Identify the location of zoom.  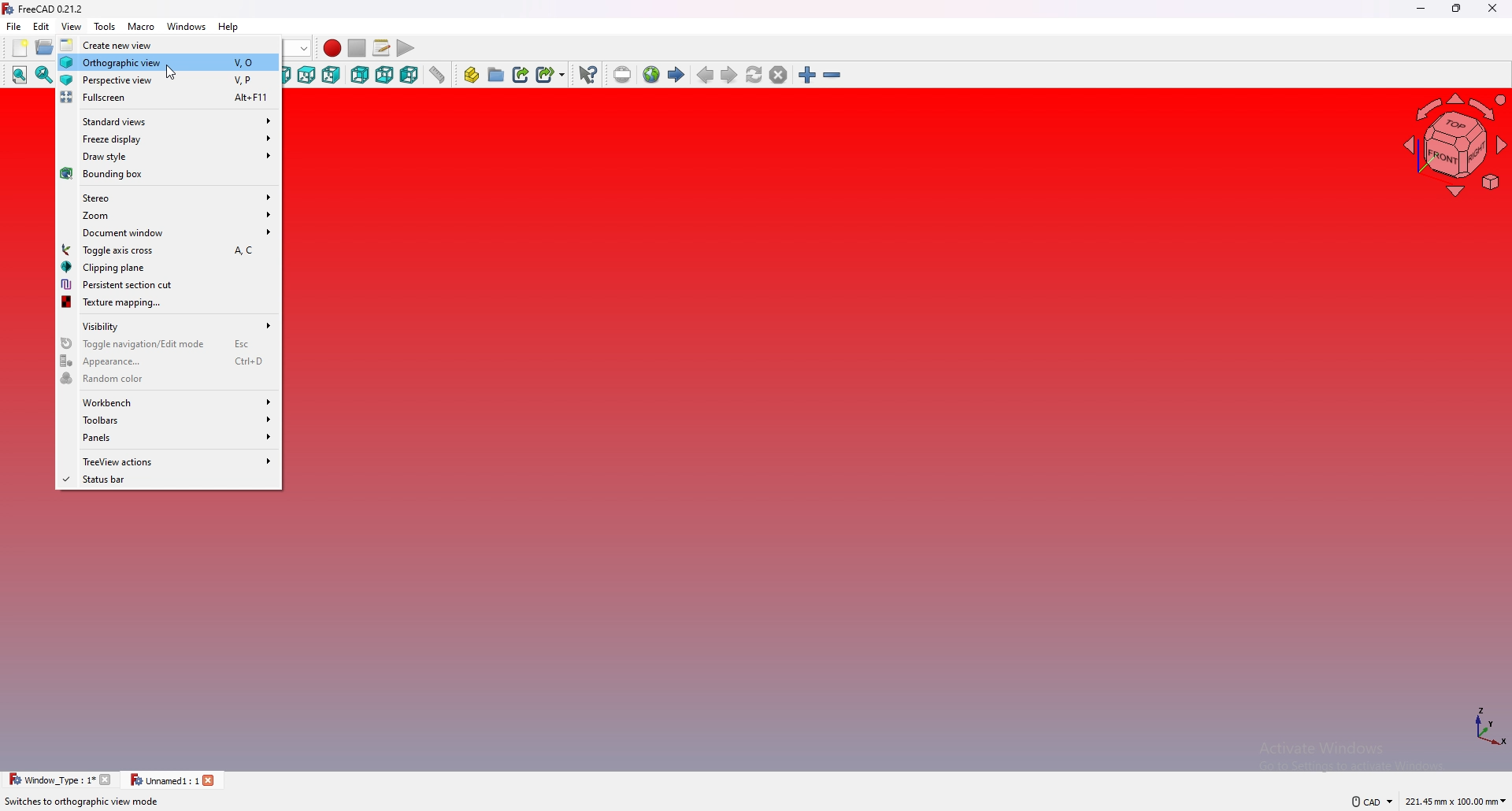
(169, 217).